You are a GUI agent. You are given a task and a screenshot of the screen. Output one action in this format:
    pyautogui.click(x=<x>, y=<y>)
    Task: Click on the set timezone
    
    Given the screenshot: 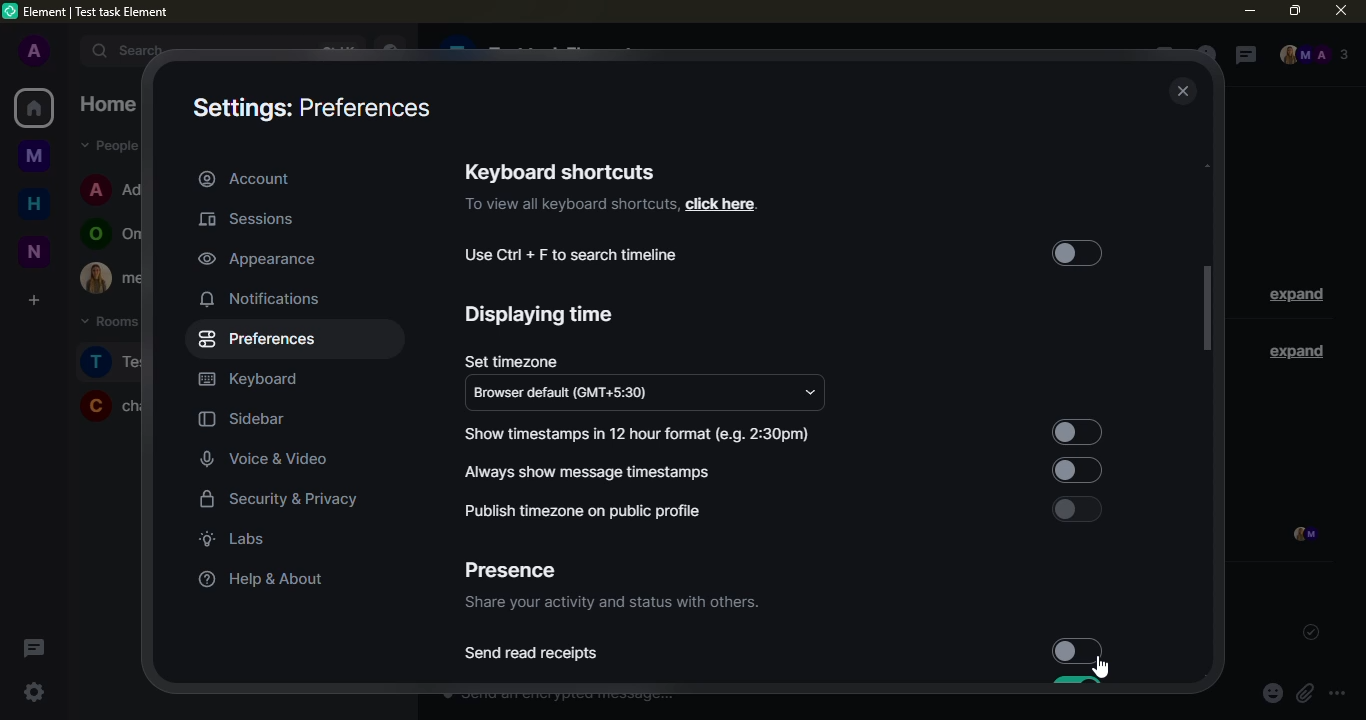 What is the action you would take?
    pyautogui.click(x=510, y=361)
    